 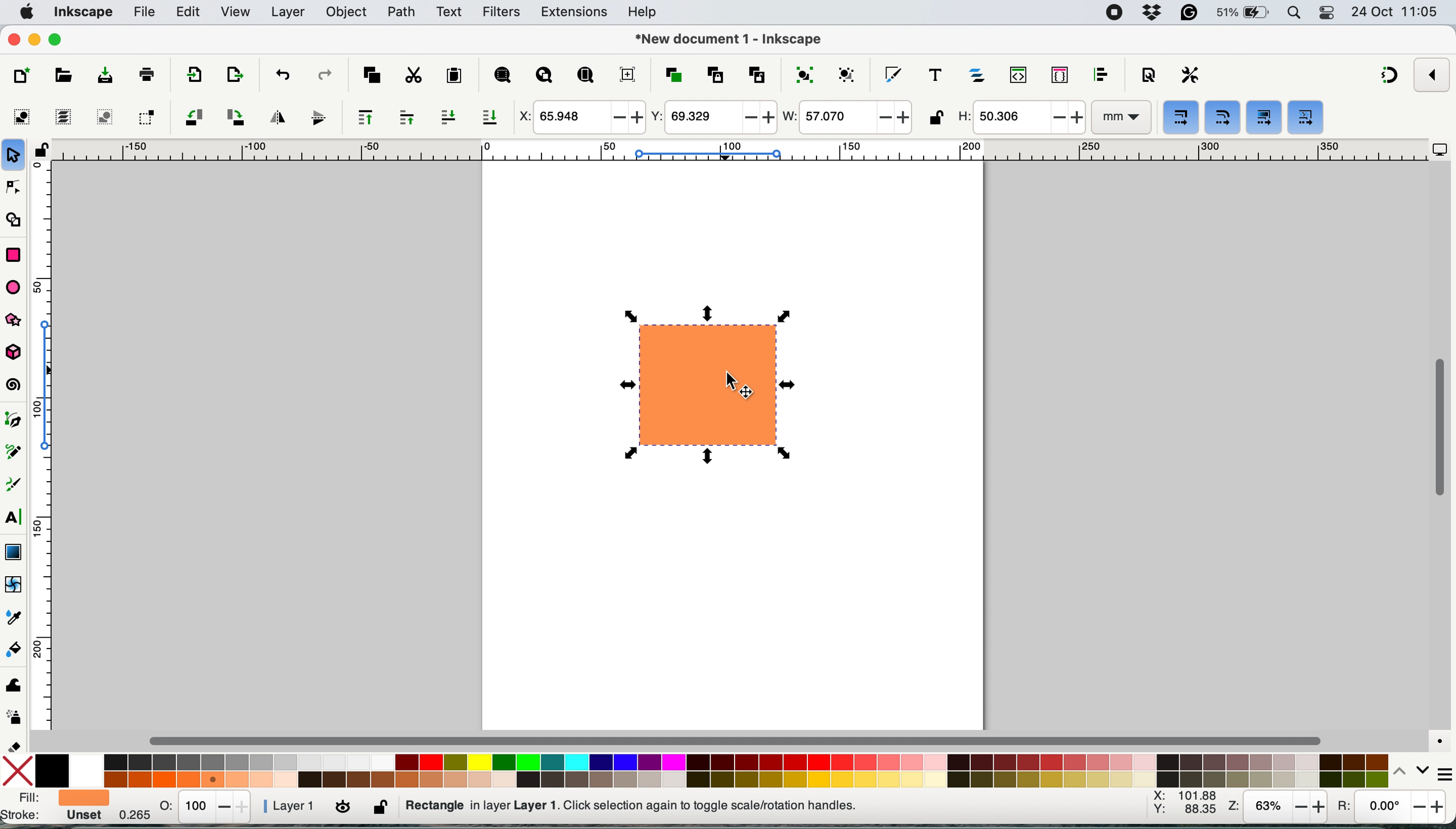 I want to click on edit, so click(x=190, y=13).